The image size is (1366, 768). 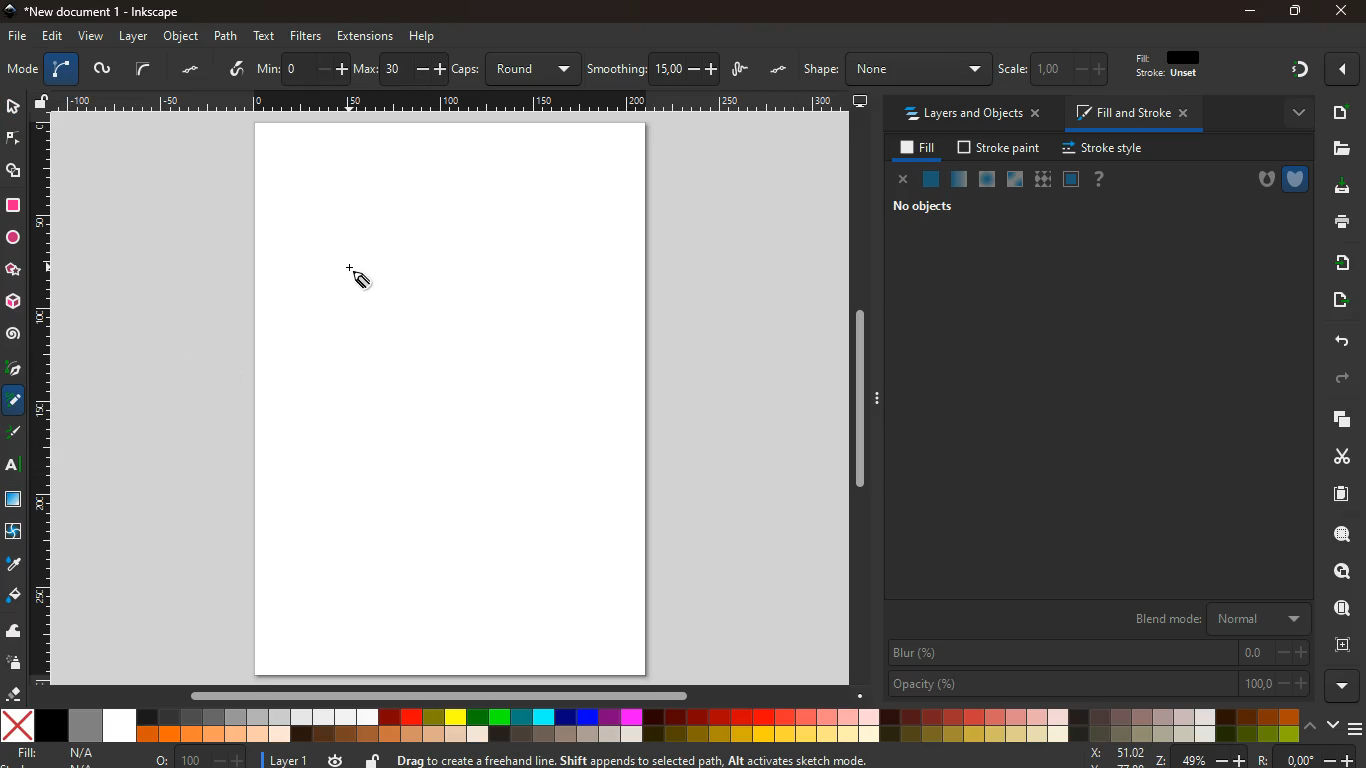 I want to click on glass, so click(x=1017, y=180).